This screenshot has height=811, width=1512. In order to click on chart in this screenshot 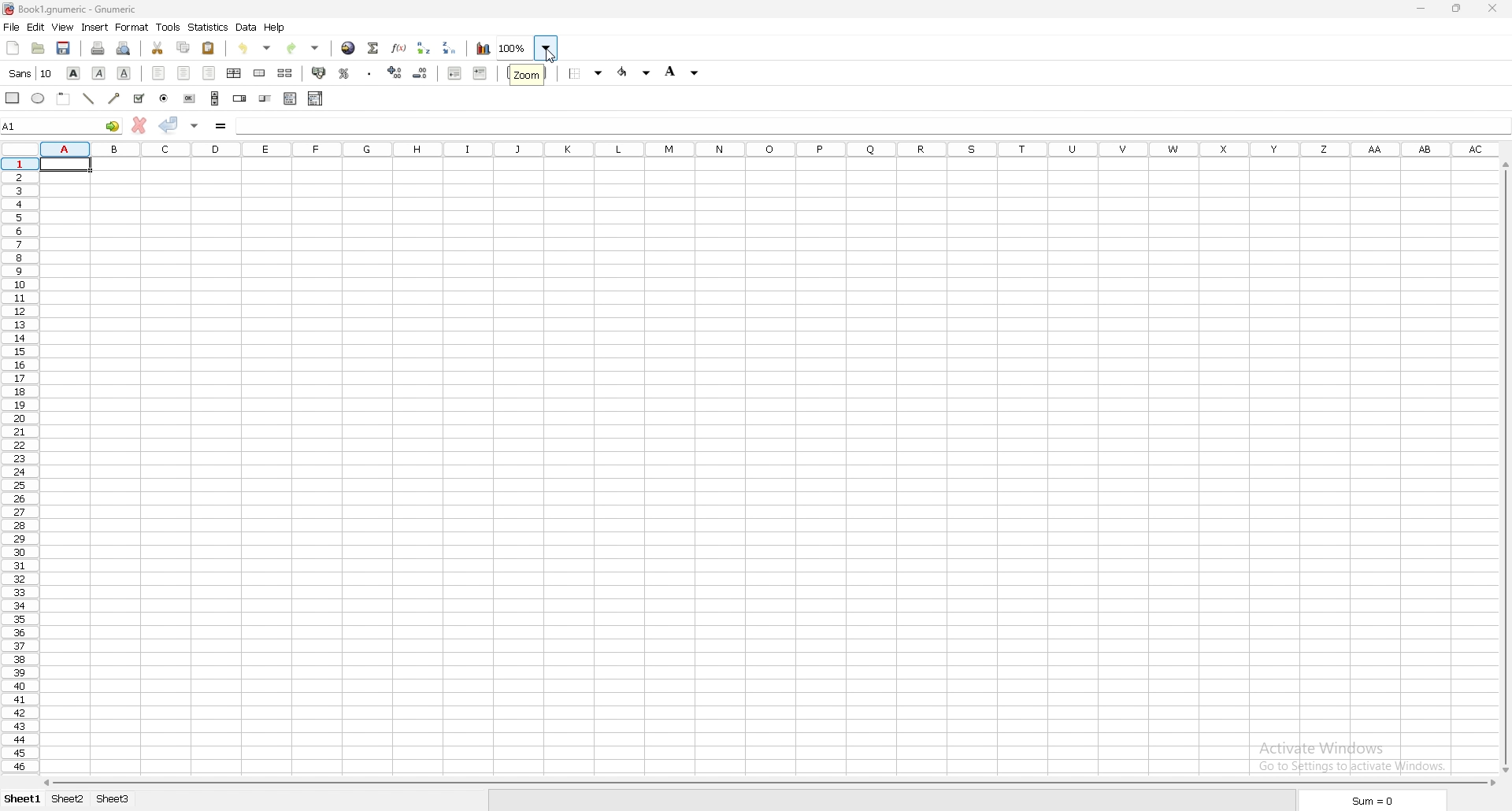, I will do `click(483, 50)`.